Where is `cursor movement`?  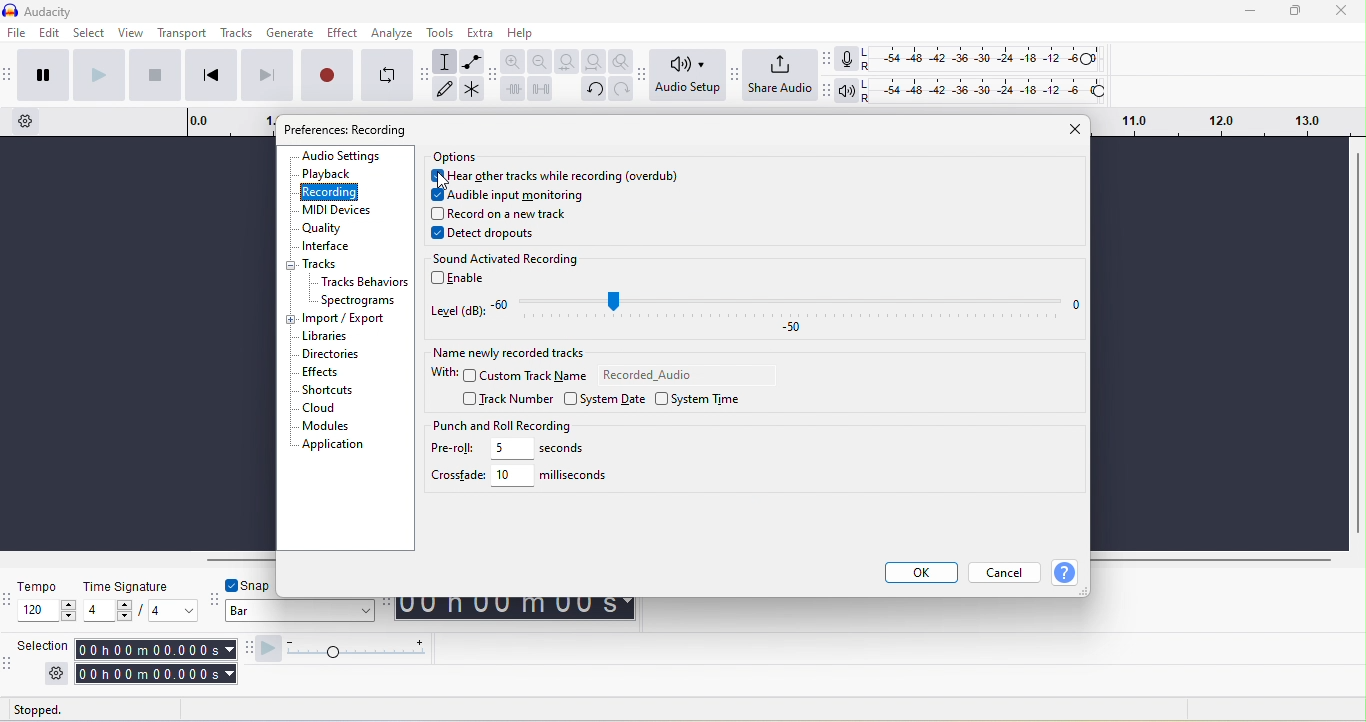
cursor movement is located at coordinates (447, 183).